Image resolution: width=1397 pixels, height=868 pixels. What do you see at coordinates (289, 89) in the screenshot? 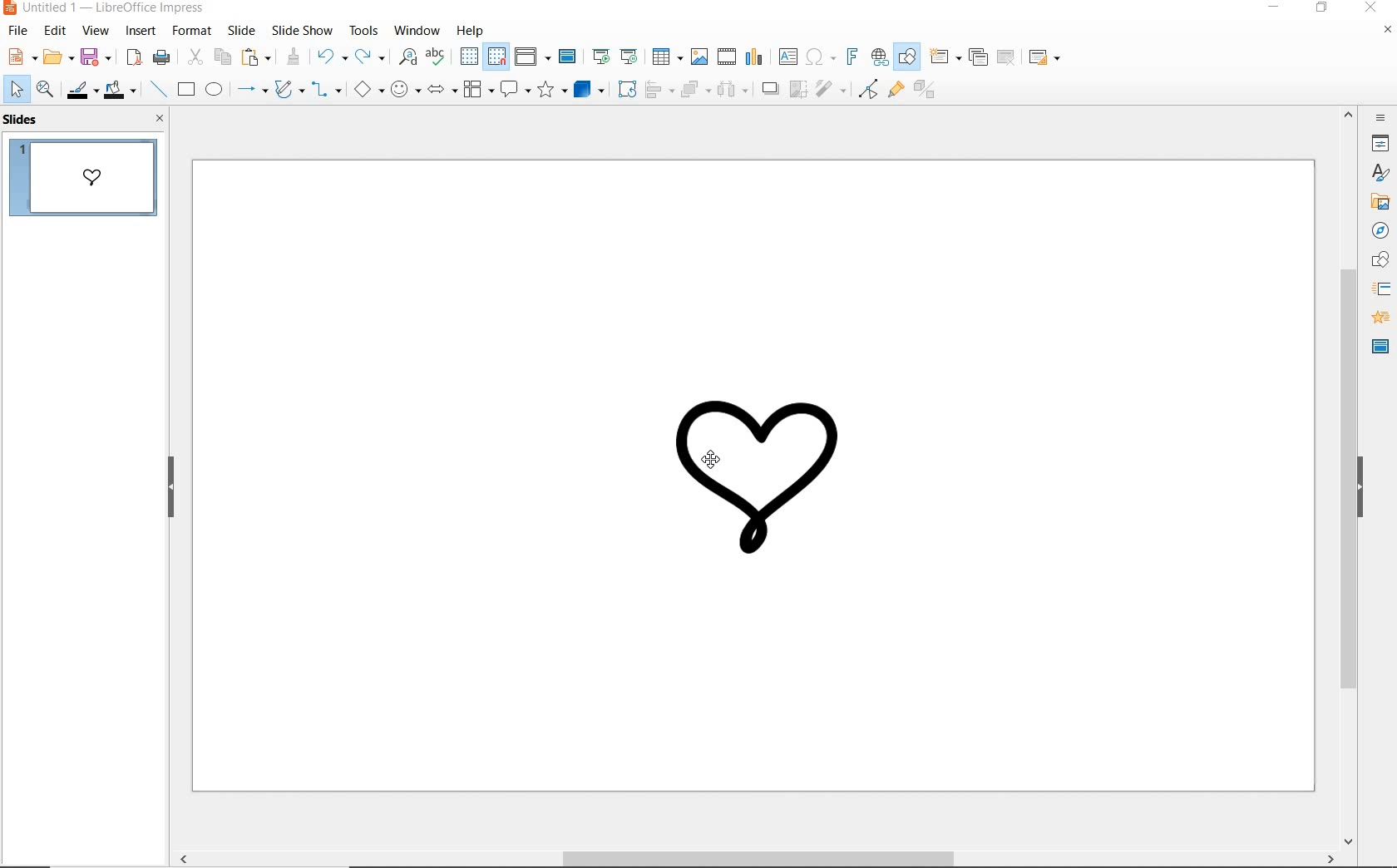
I see `curves & polygons` at bounding box center [289, 89].